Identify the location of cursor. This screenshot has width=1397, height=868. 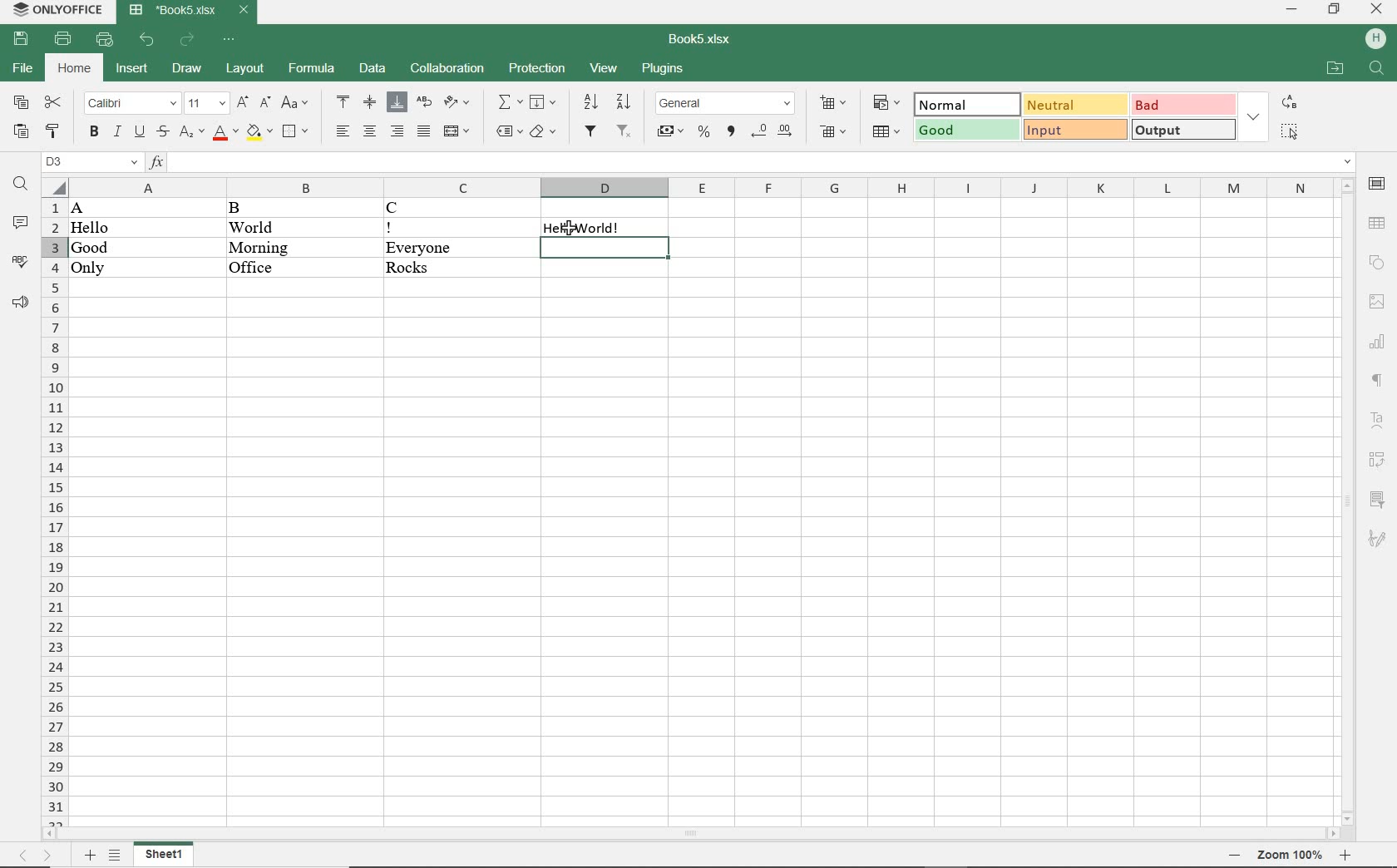
(569, 231).